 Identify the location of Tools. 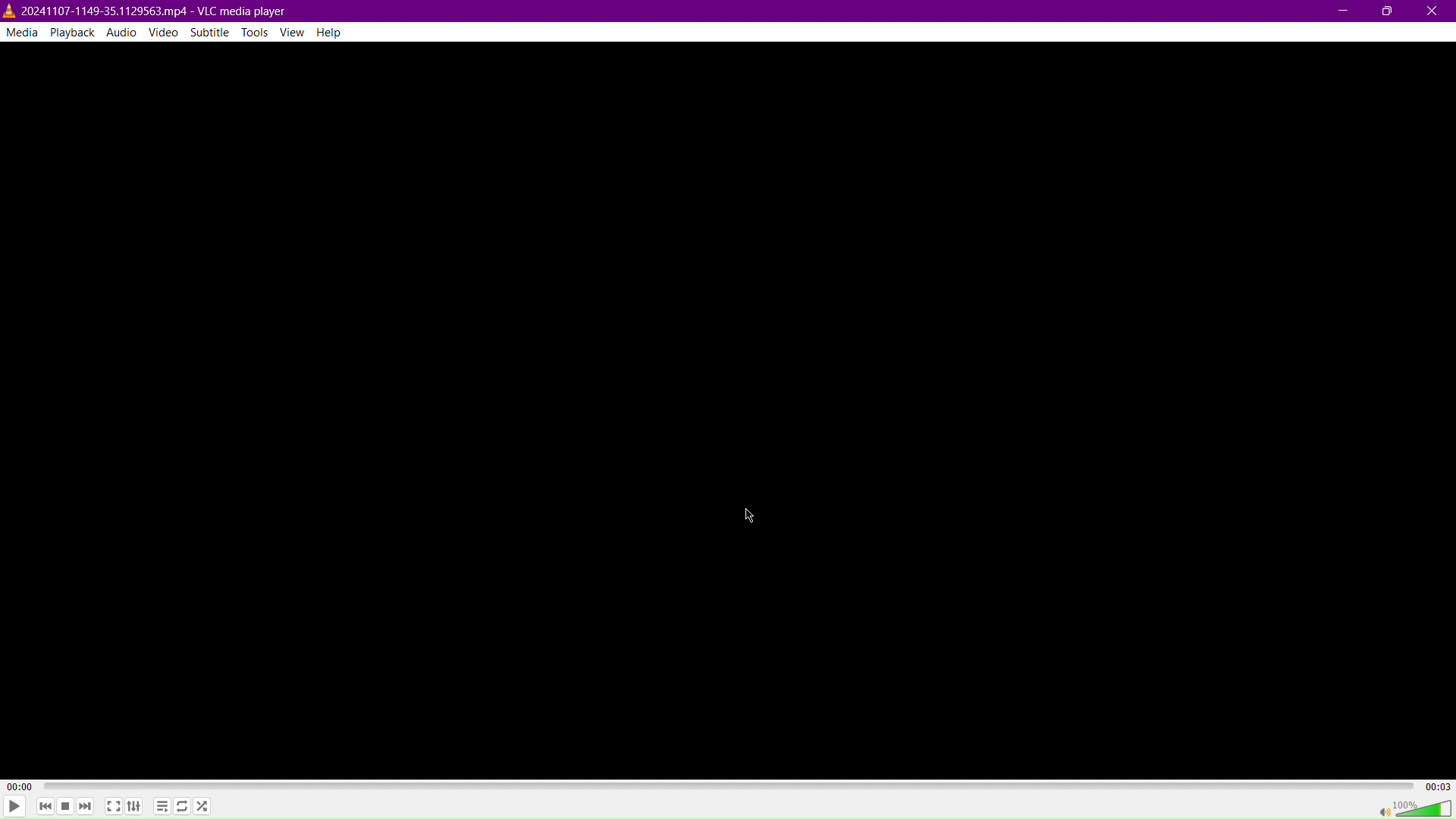
(256, 33).